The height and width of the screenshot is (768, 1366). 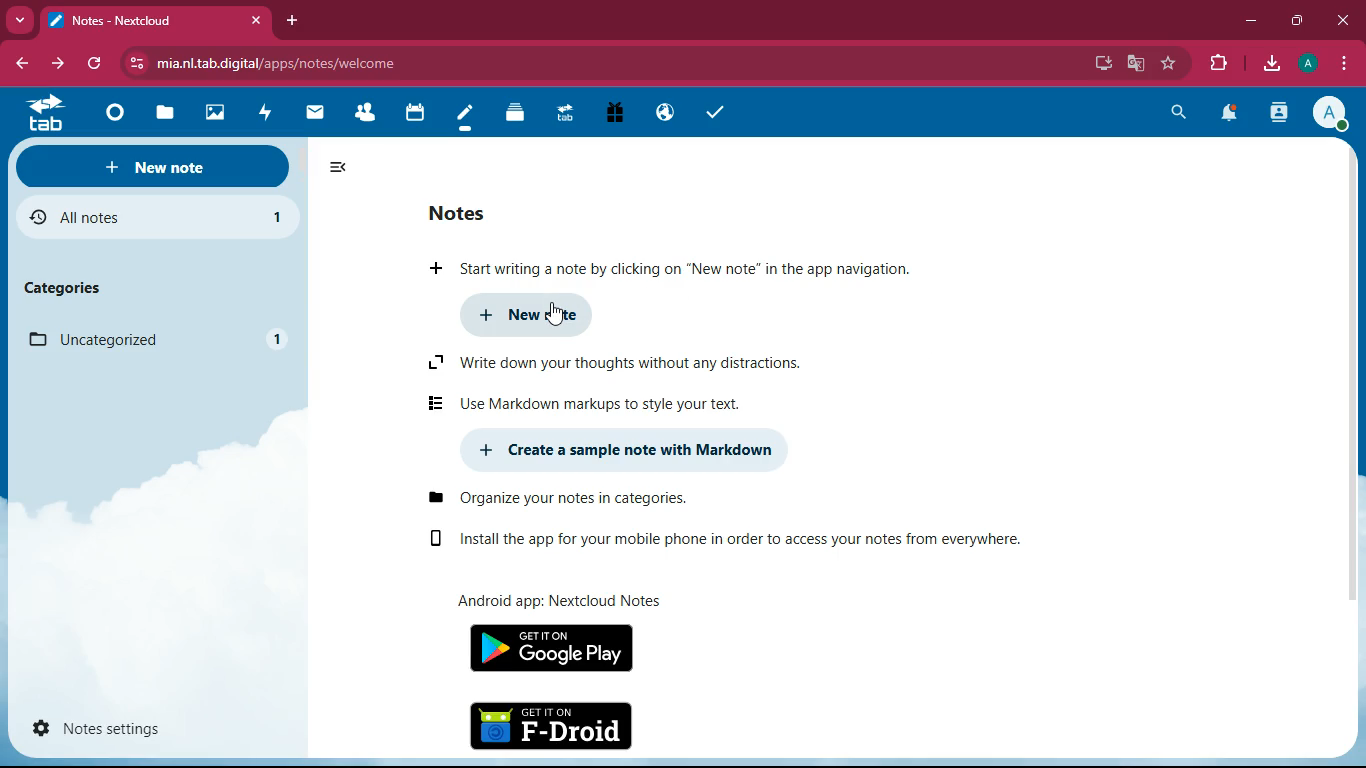 What do you see at coordinates (149, 219) in the screenshot?
I see `all notes` at bounding box center [149, 219].